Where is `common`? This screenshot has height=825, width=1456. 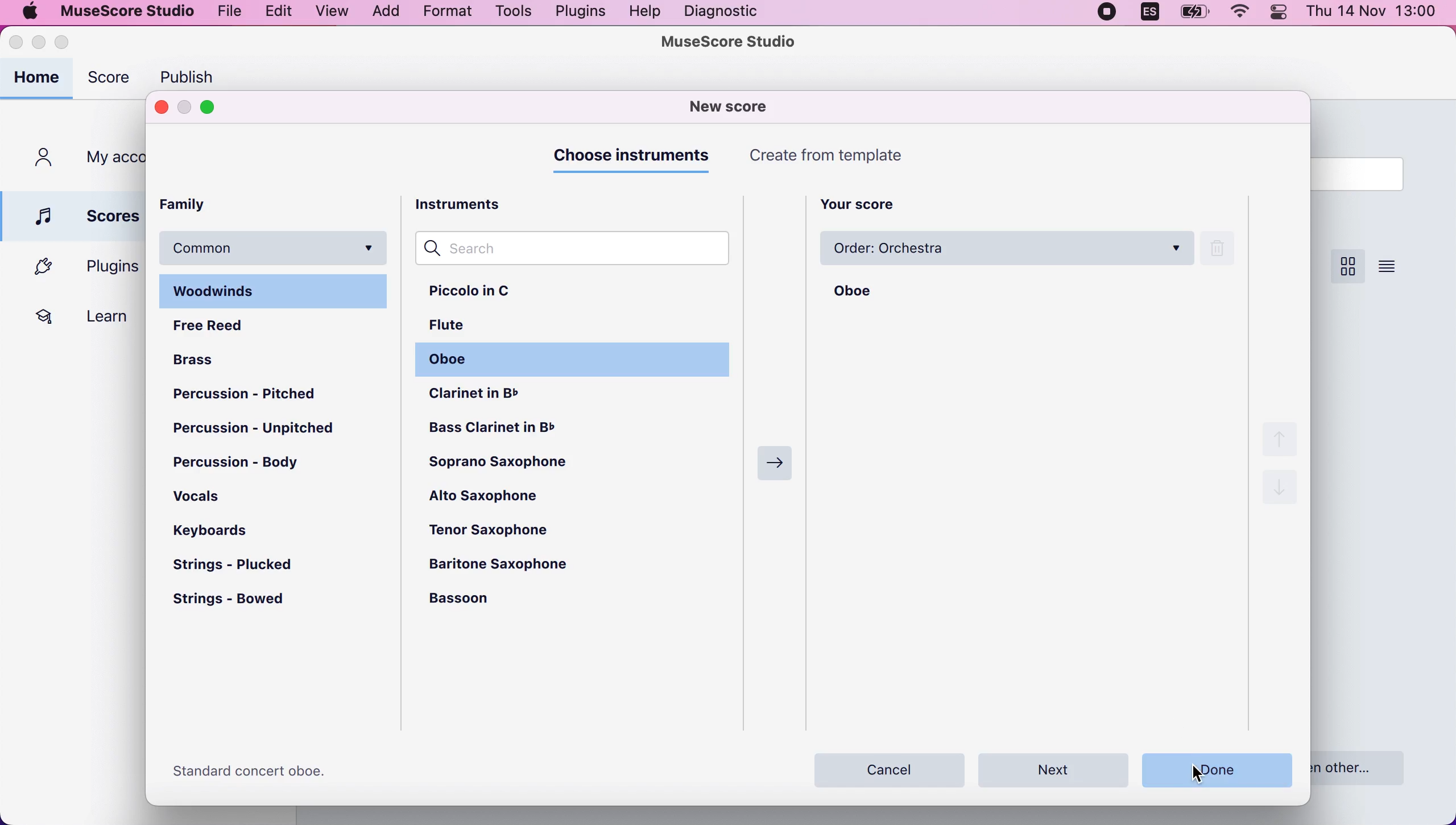 common is located at coordinates (275, 246).